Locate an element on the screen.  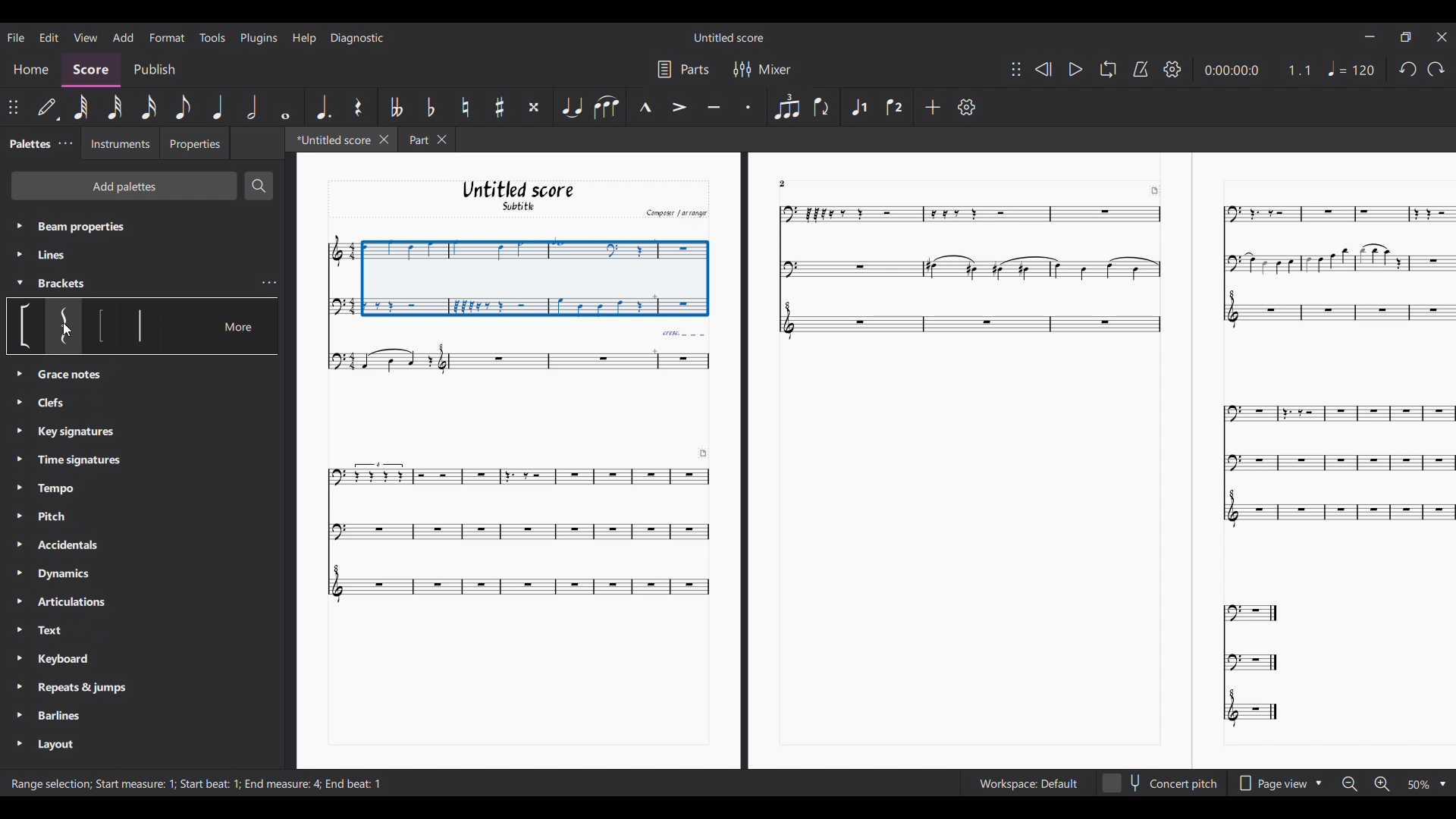
 is located at coordinates (1341, 260).